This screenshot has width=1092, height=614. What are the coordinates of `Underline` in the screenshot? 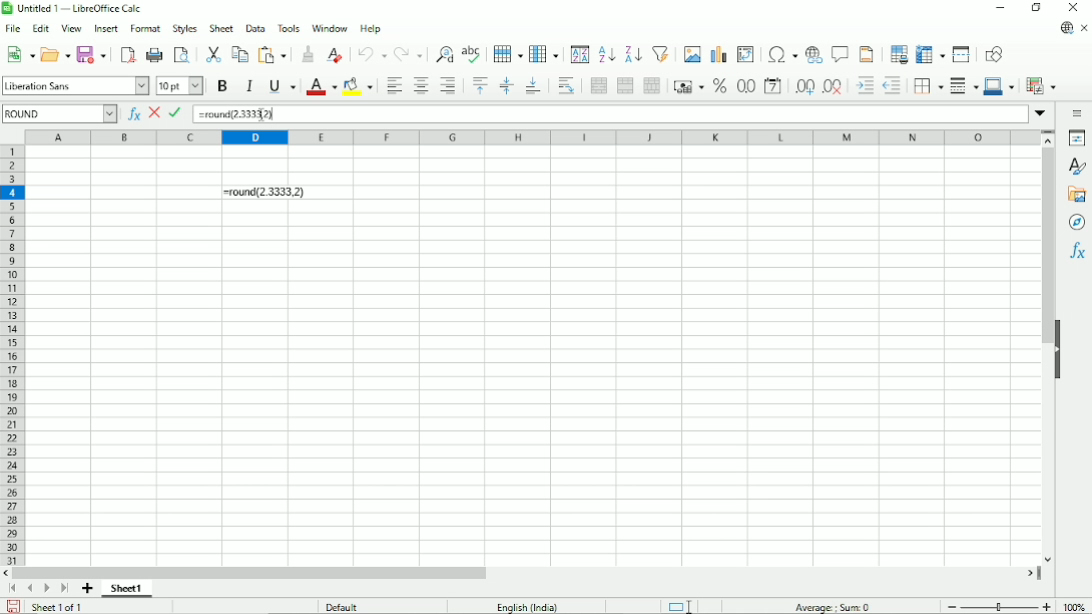 It's located at (283, 86).